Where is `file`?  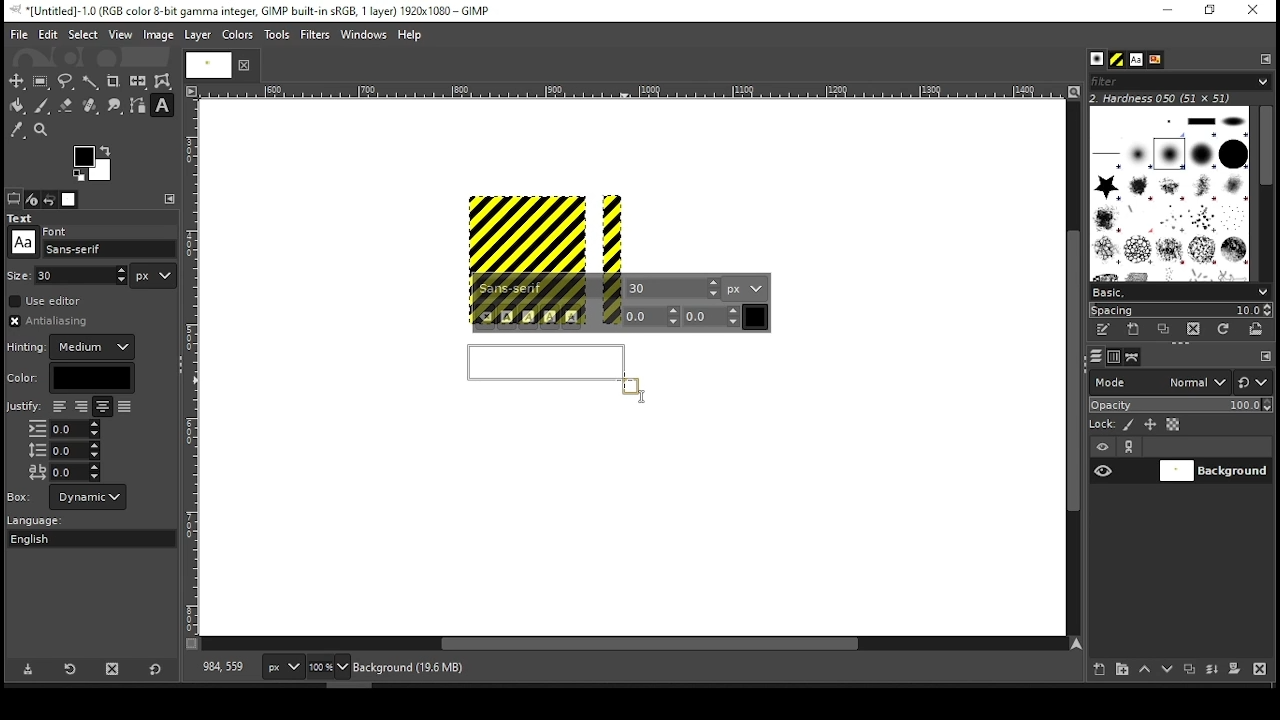 file is located at coordinates (19, 35).